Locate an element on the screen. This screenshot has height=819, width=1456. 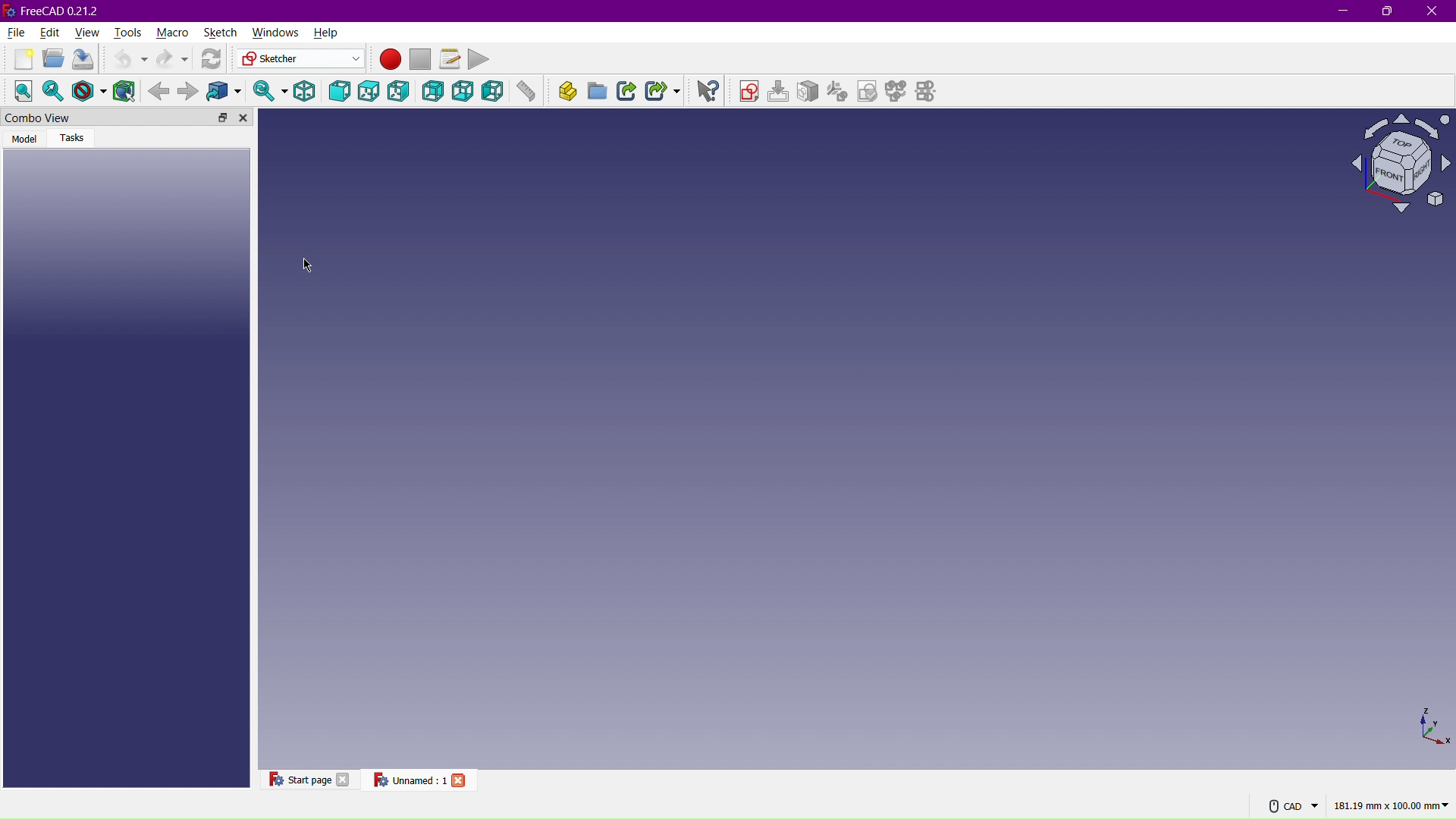
Bottom is located at coordinates (463, 89).